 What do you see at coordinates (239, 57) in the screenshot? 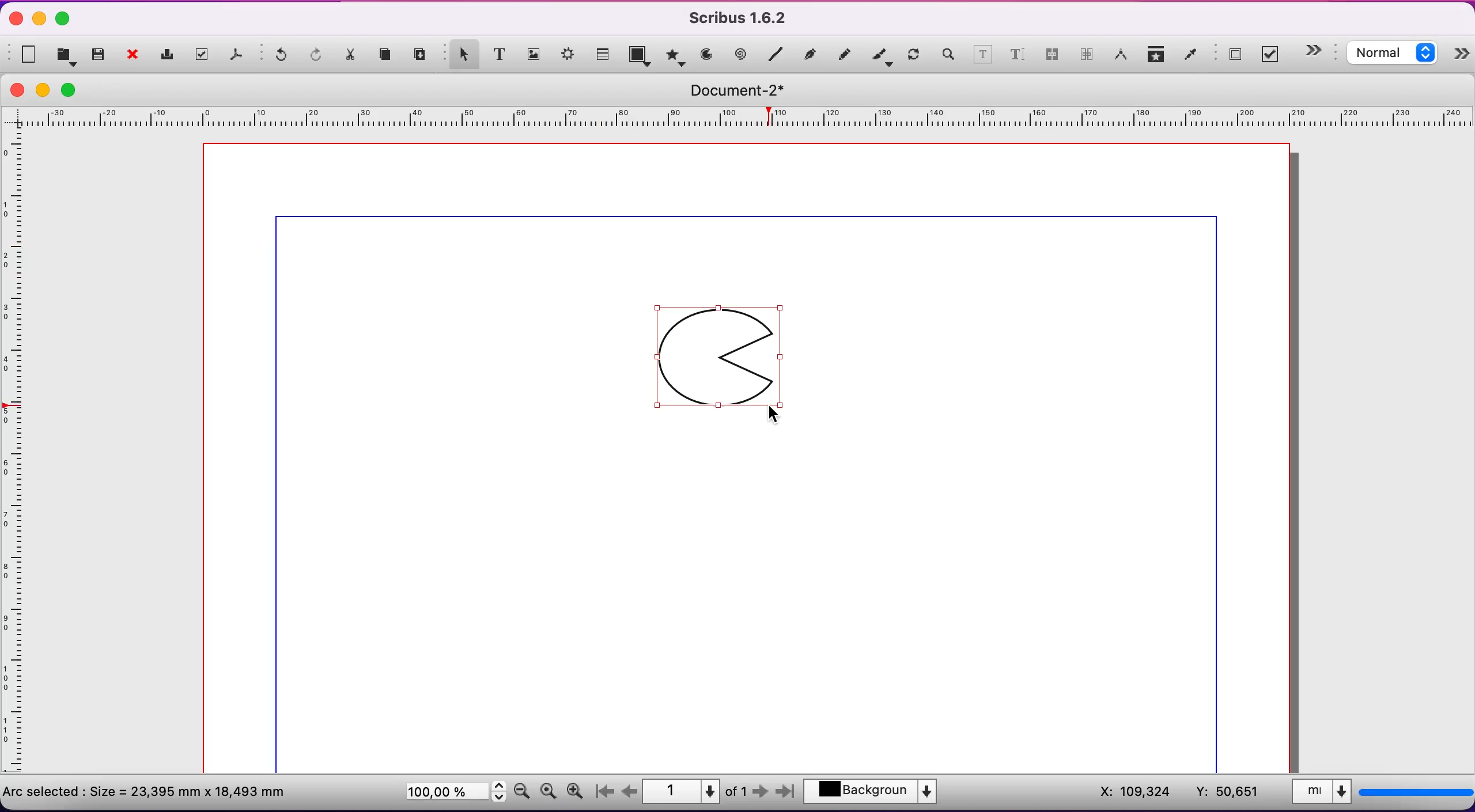
I see `export as pdf` at bounding box center [239, 57].